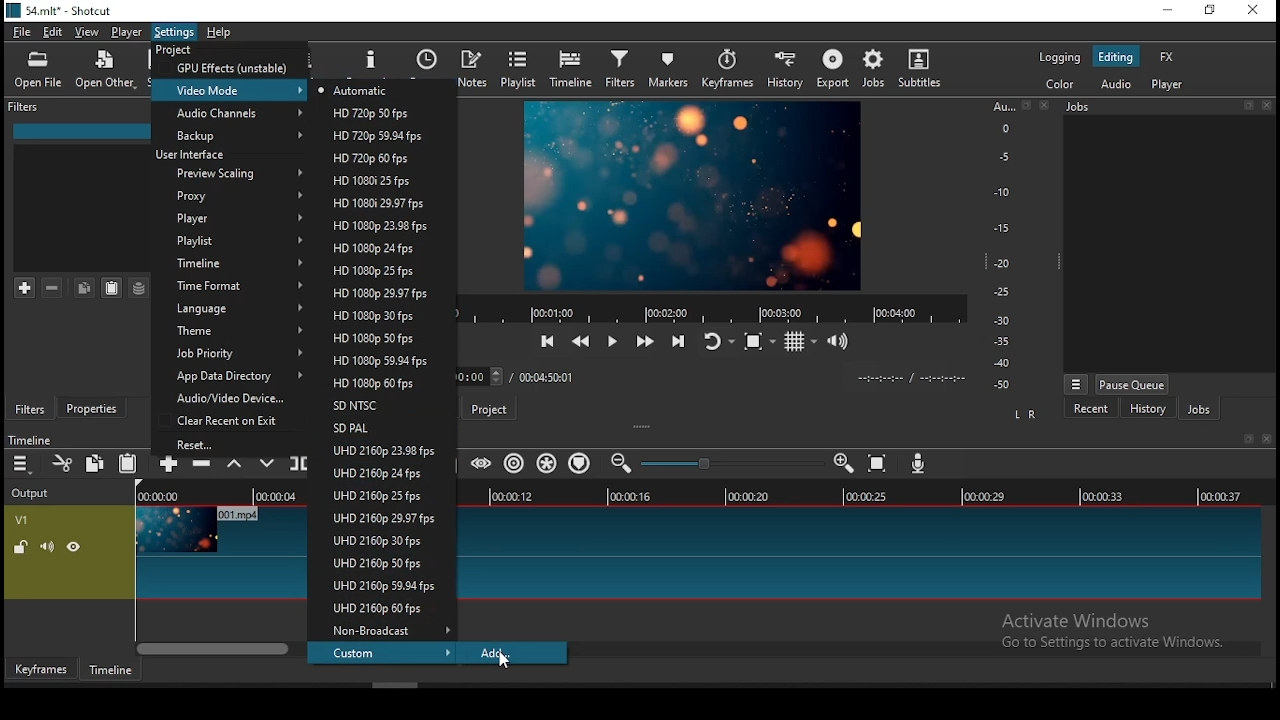 The image size is (1280, 720). What do you see at coordinates (427, 63) in the screenshot?
I see `recent` at bounding box center [427, 63].